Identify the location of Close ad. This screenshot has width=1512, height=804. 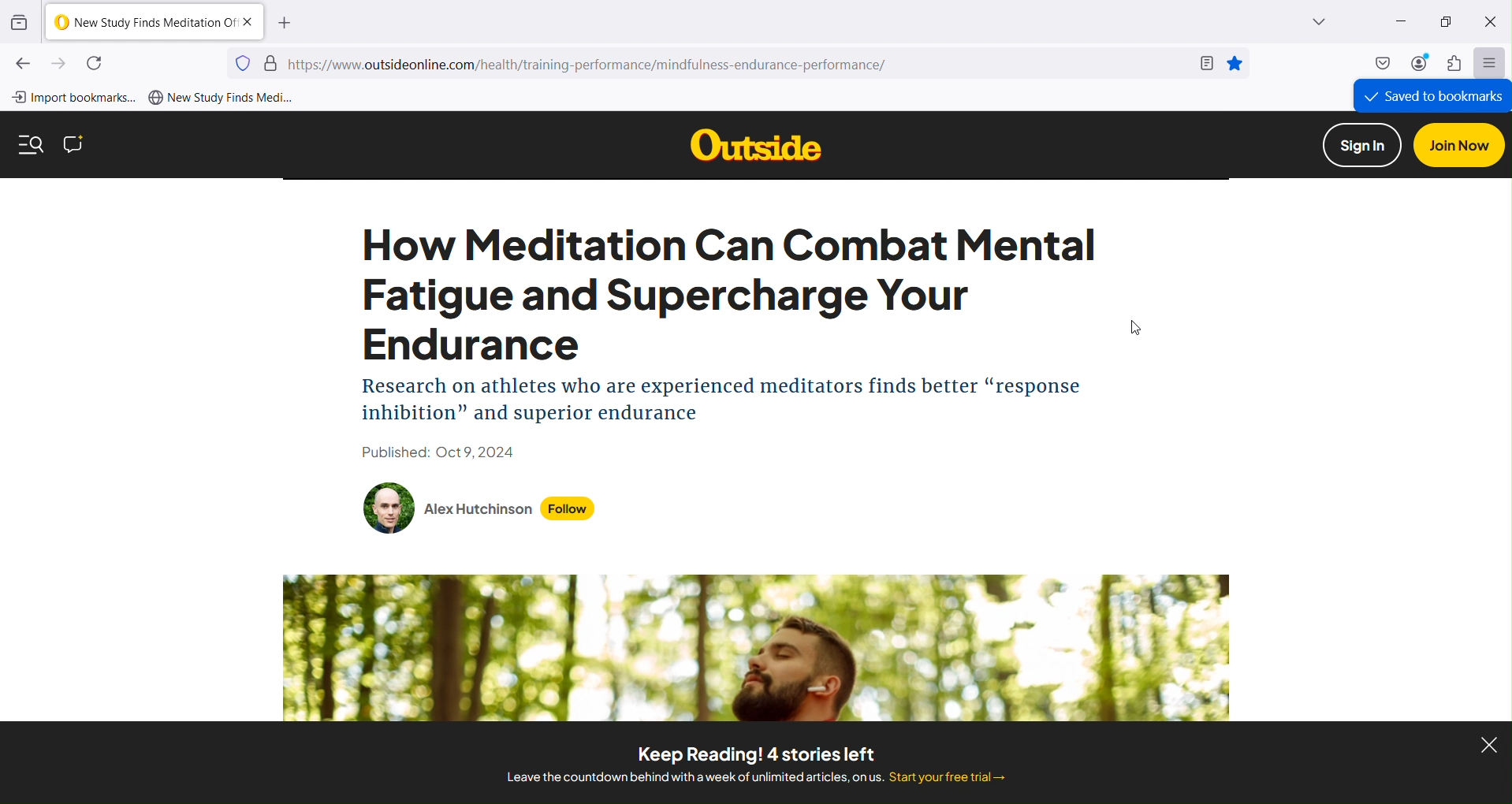
(1488, 744).